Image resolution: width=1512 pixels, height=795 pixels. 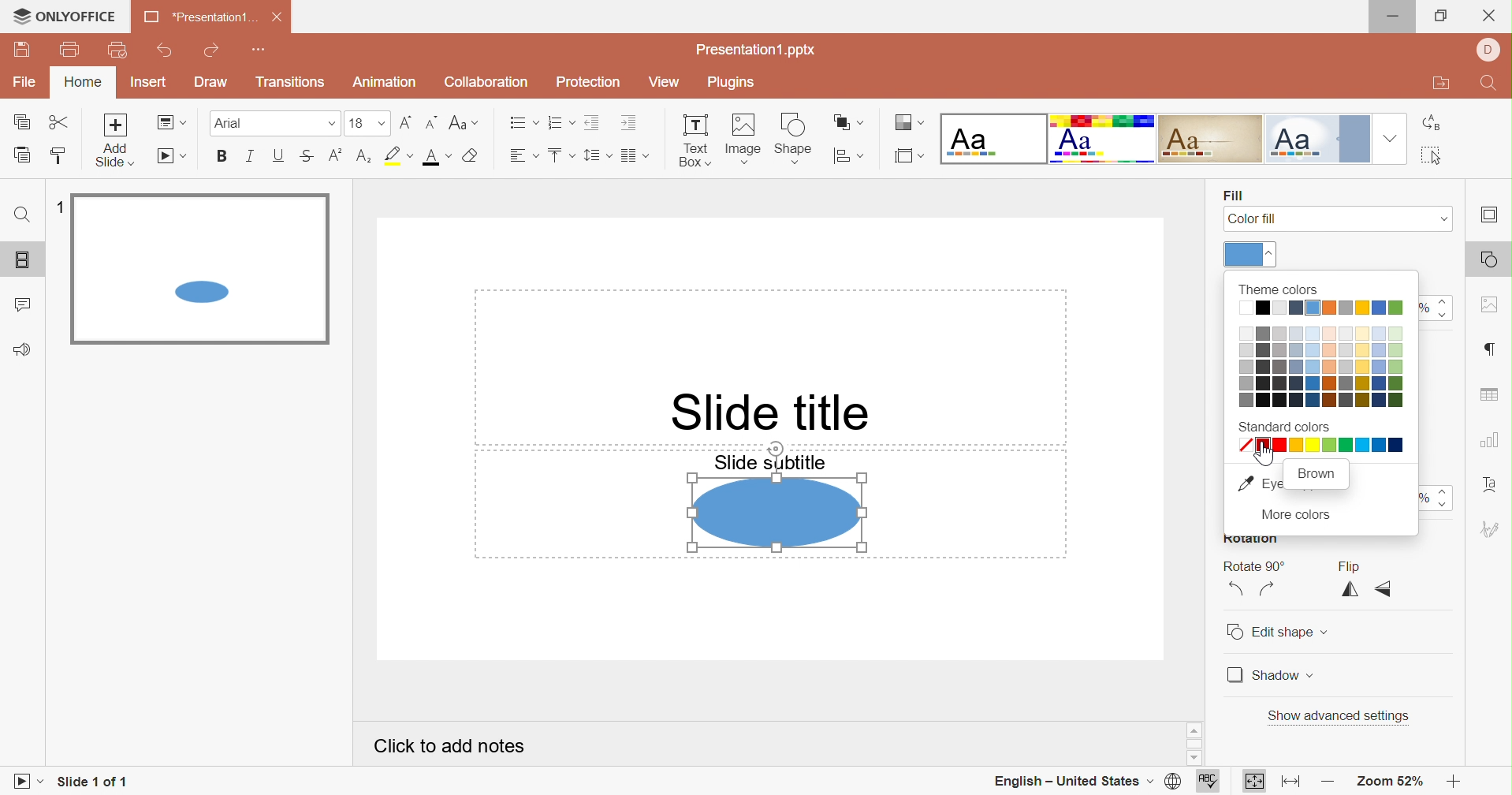 I want to click on Align shape, so click(x=847, y=155).